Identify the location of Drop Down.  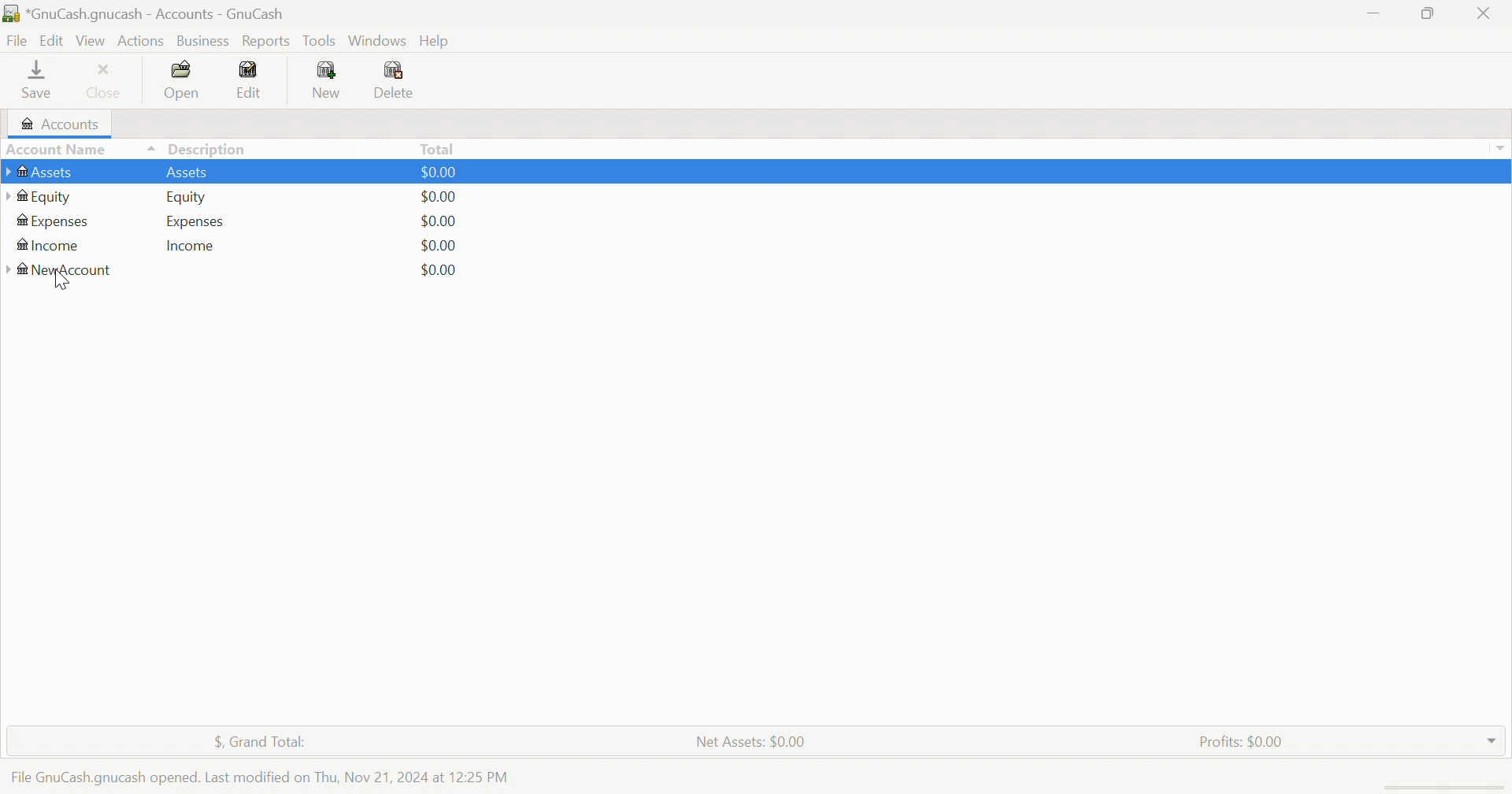
(1499, 148).